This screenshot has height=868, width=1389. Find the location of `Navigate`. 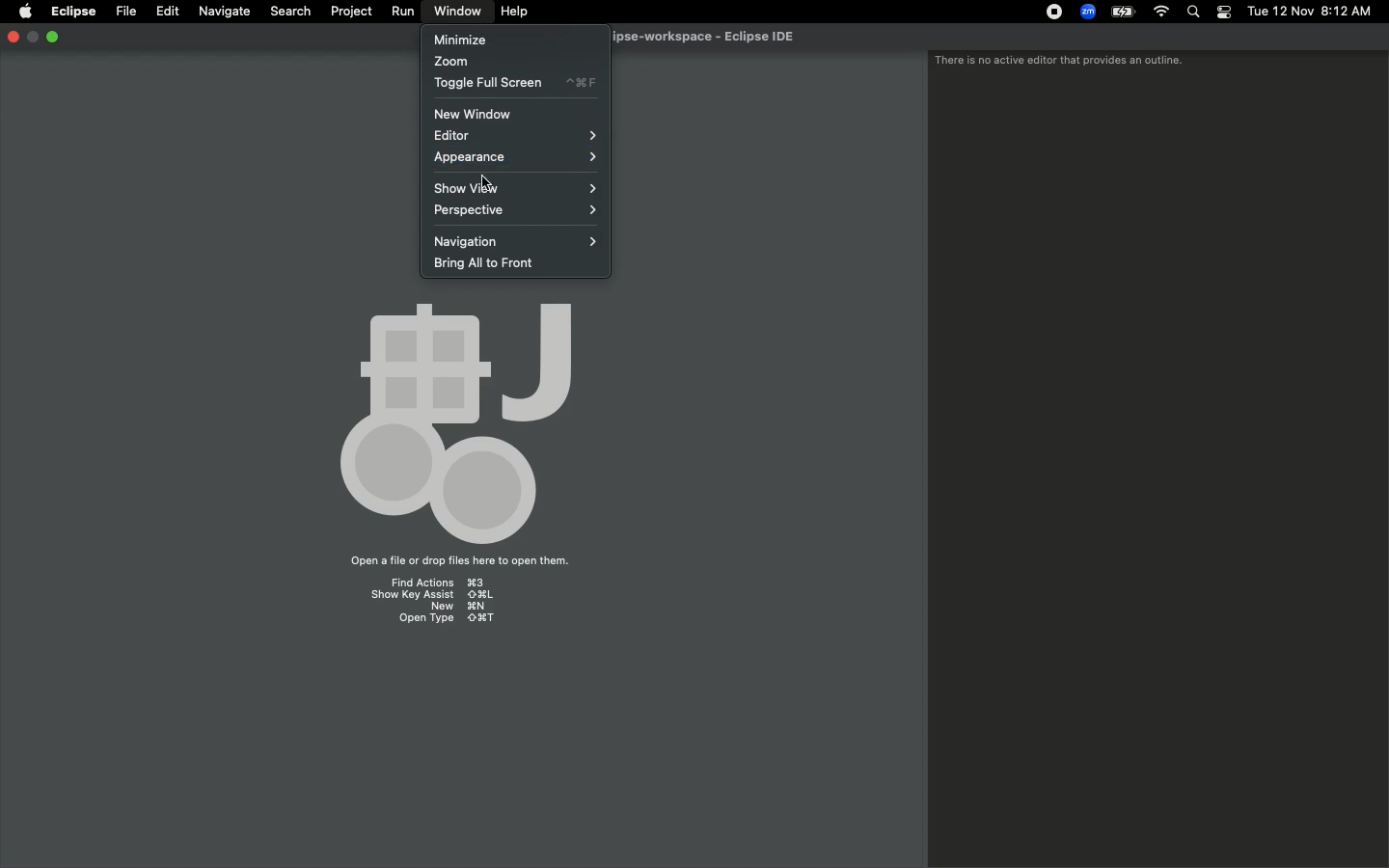

Navigate is located at coordinates (222, 12).